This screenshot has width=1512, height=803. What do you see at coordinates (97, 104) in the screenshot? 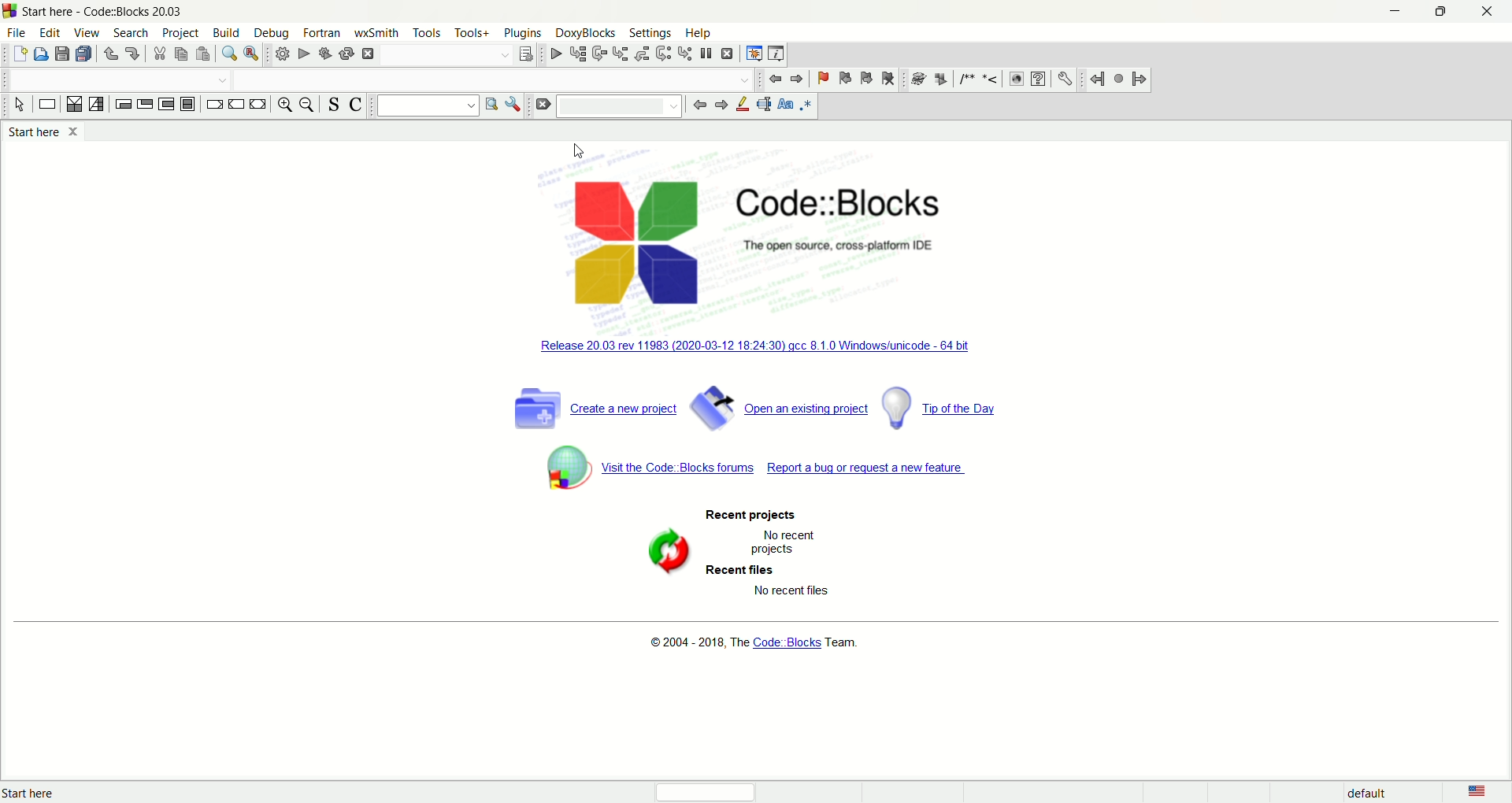
I see `selection` at bounding box center [97, 104].